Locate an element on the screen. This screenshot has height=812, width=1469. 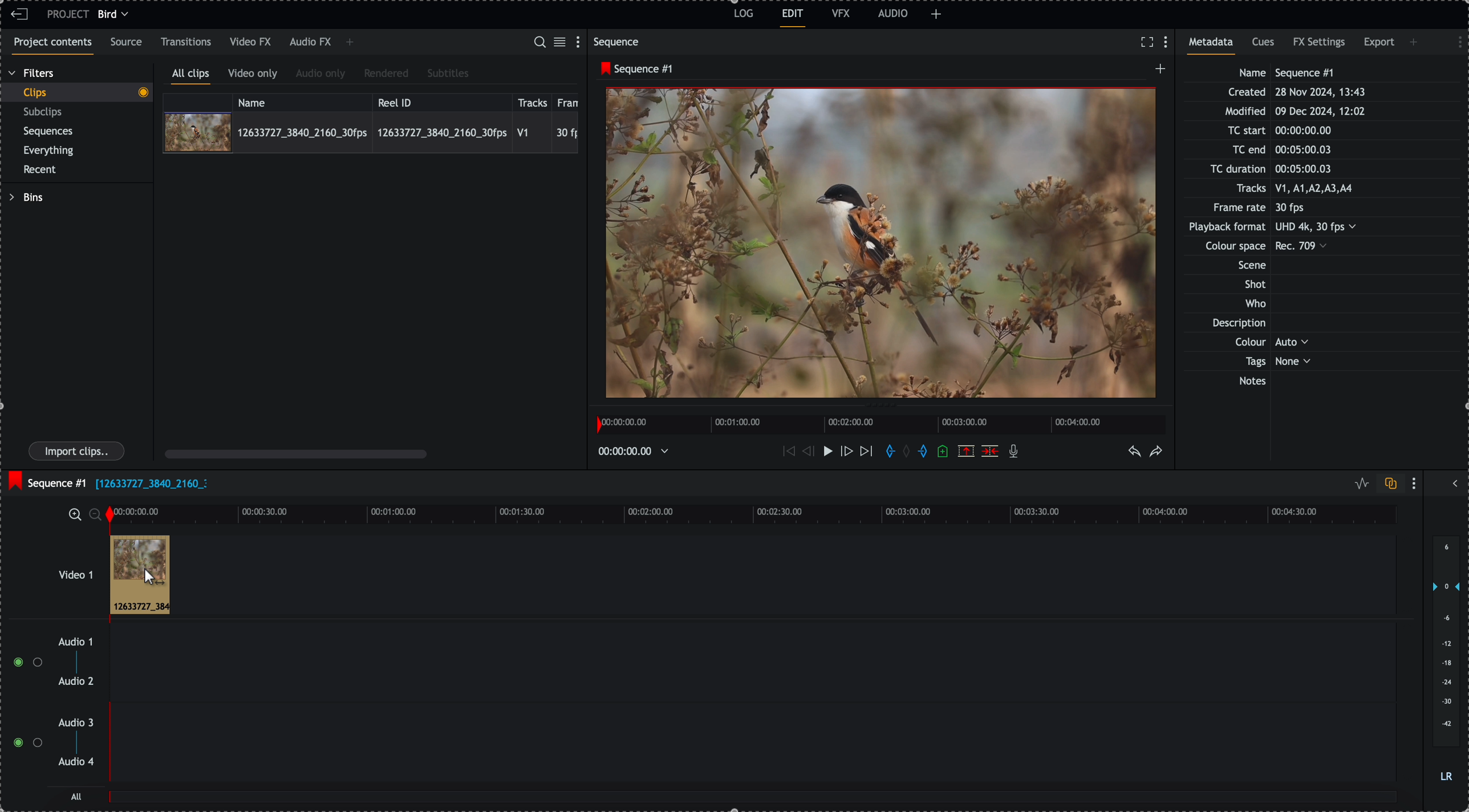
metadata is located at coordinates (1215, 46).